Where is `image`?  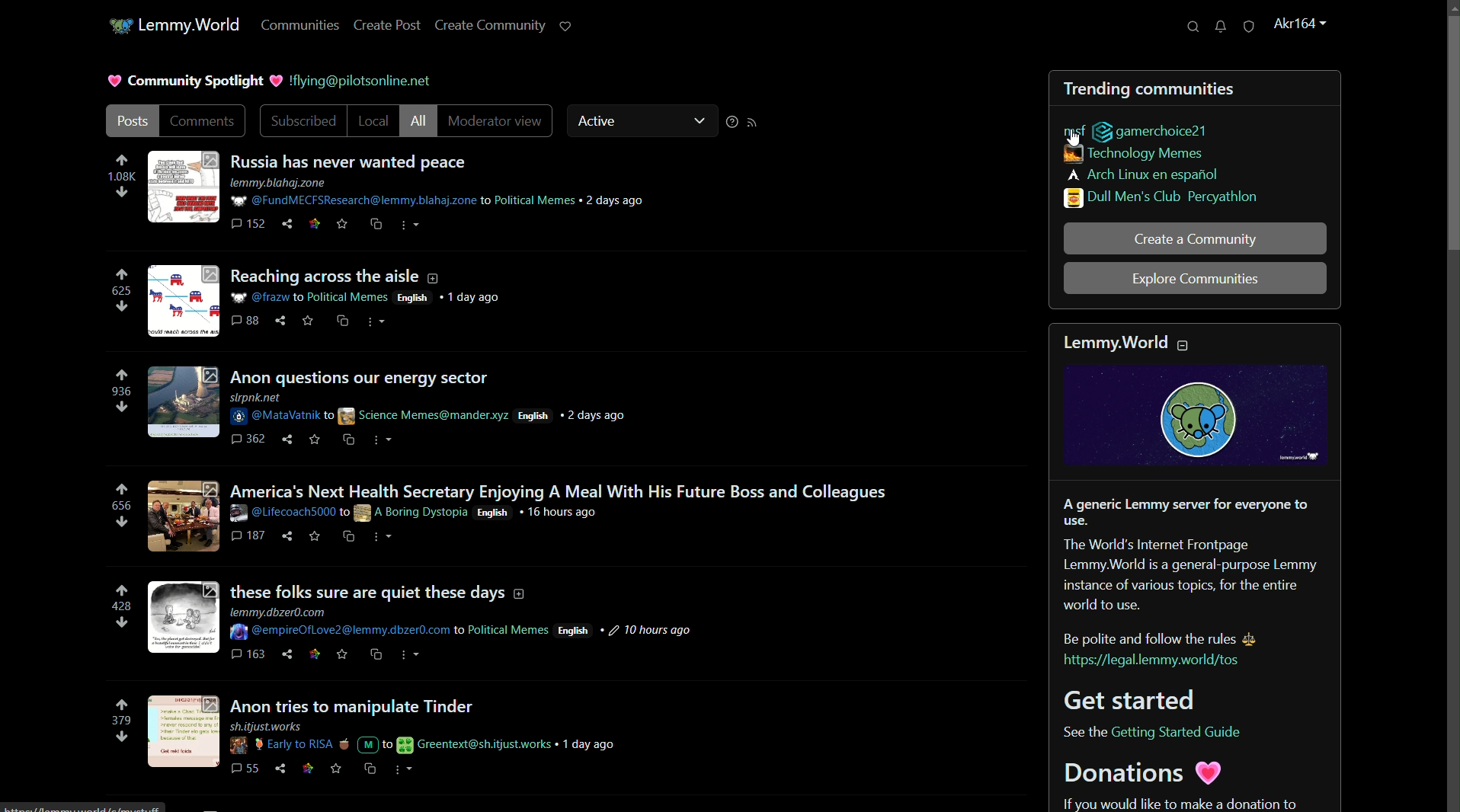
image is located at coordinates (184, 514).